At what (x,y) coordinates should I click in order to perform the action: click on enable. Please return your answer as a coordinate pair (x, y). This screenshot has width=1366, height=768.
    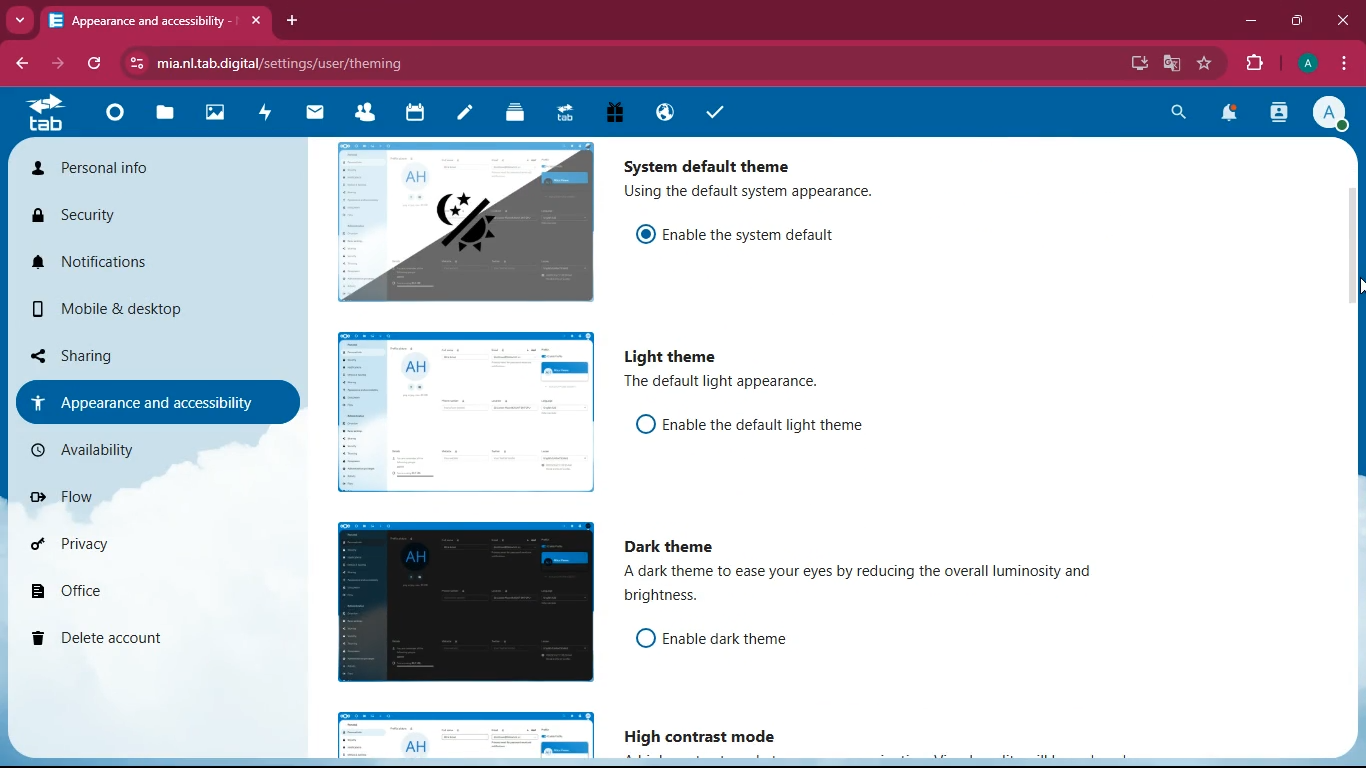
    Looking at the image, I should click on (763, 232).